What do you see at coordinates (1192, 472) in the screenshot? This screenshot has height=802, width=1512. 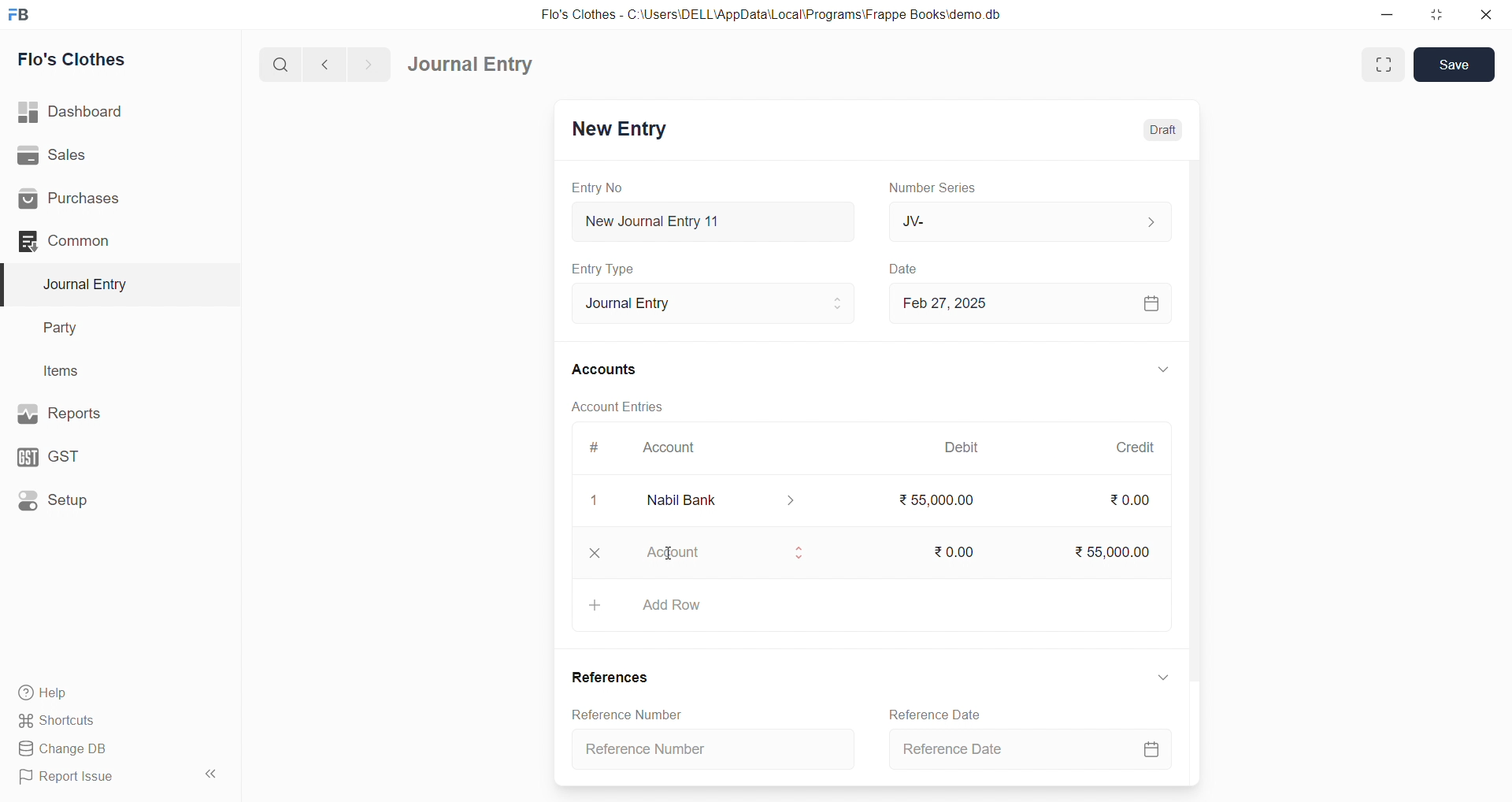 I see `VERTICAL SCROLL BAR` at bounding box center [1192, 472].